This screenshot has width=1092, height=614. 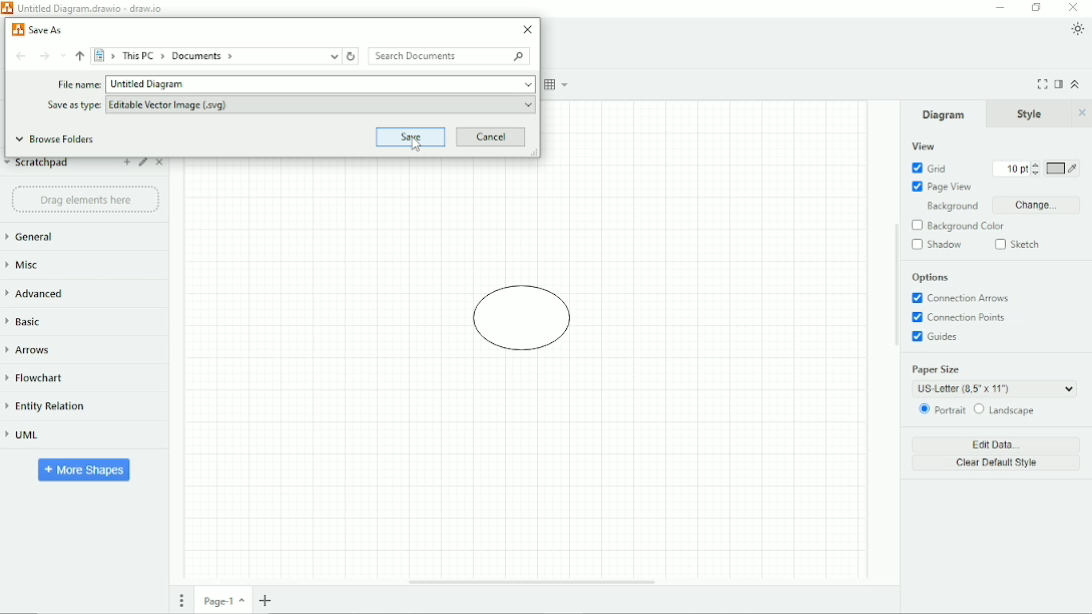 What do you see at coordinates (295, 85) in the screenshot?
I see `File name: Untitled Diagram` at bounding box center [295, 85].